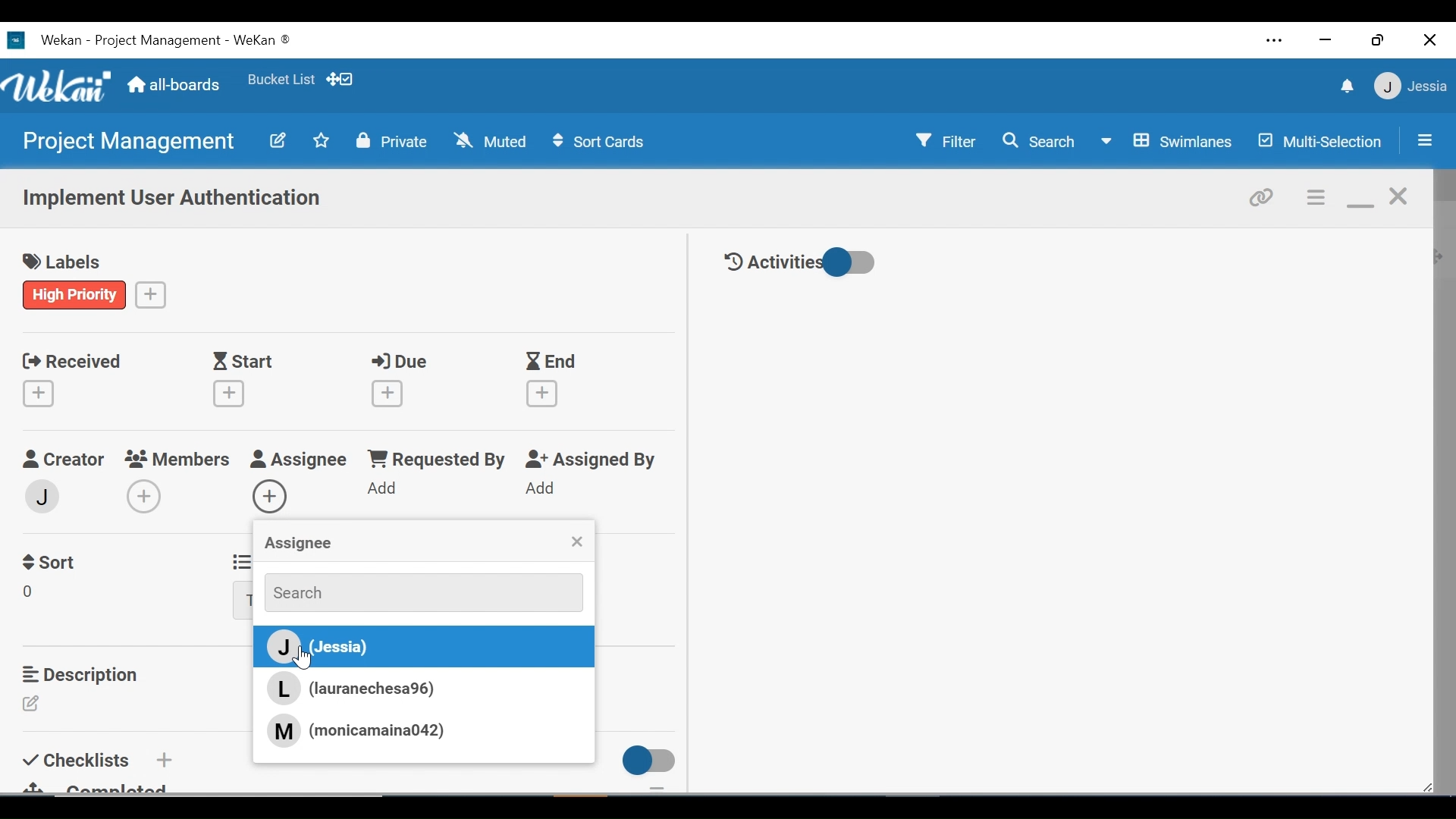 Image resolution: width=1456 pixels, height=819 pixels. I want to click on Add Member, so click(271, 497).